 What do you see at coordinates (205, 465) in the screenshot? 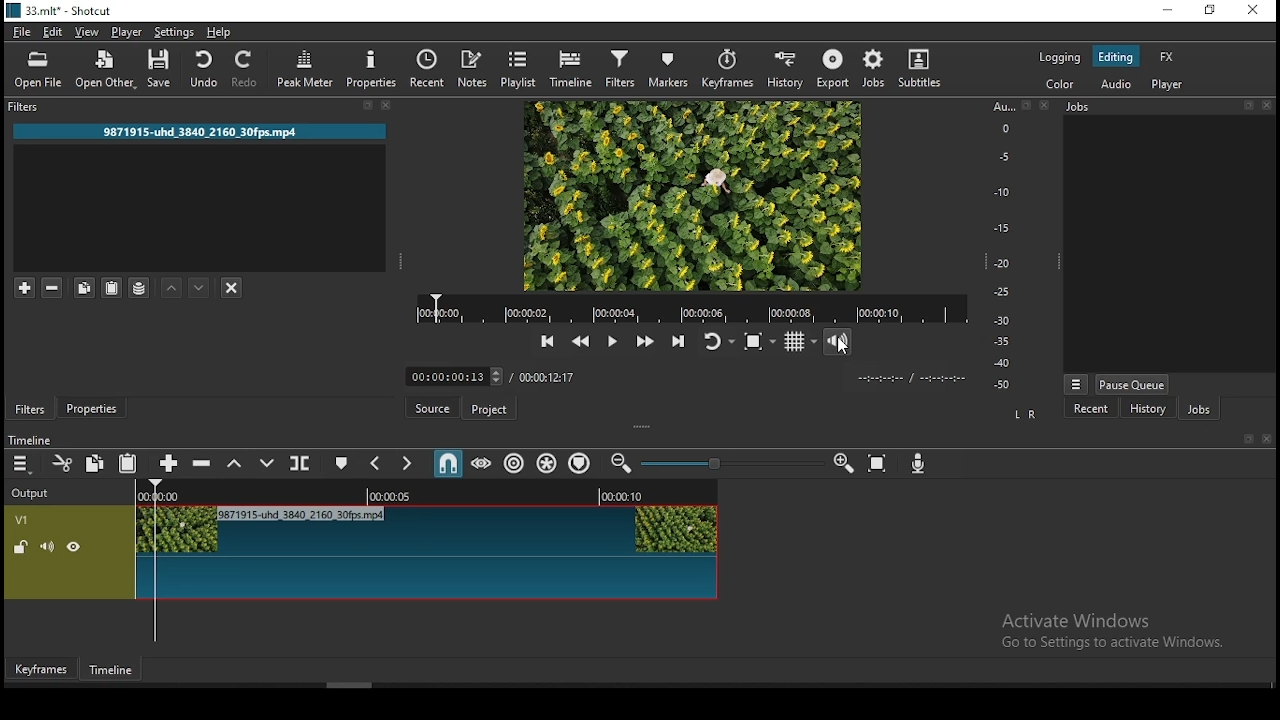
I see `ripple delete` at bounding box center [205, 465].